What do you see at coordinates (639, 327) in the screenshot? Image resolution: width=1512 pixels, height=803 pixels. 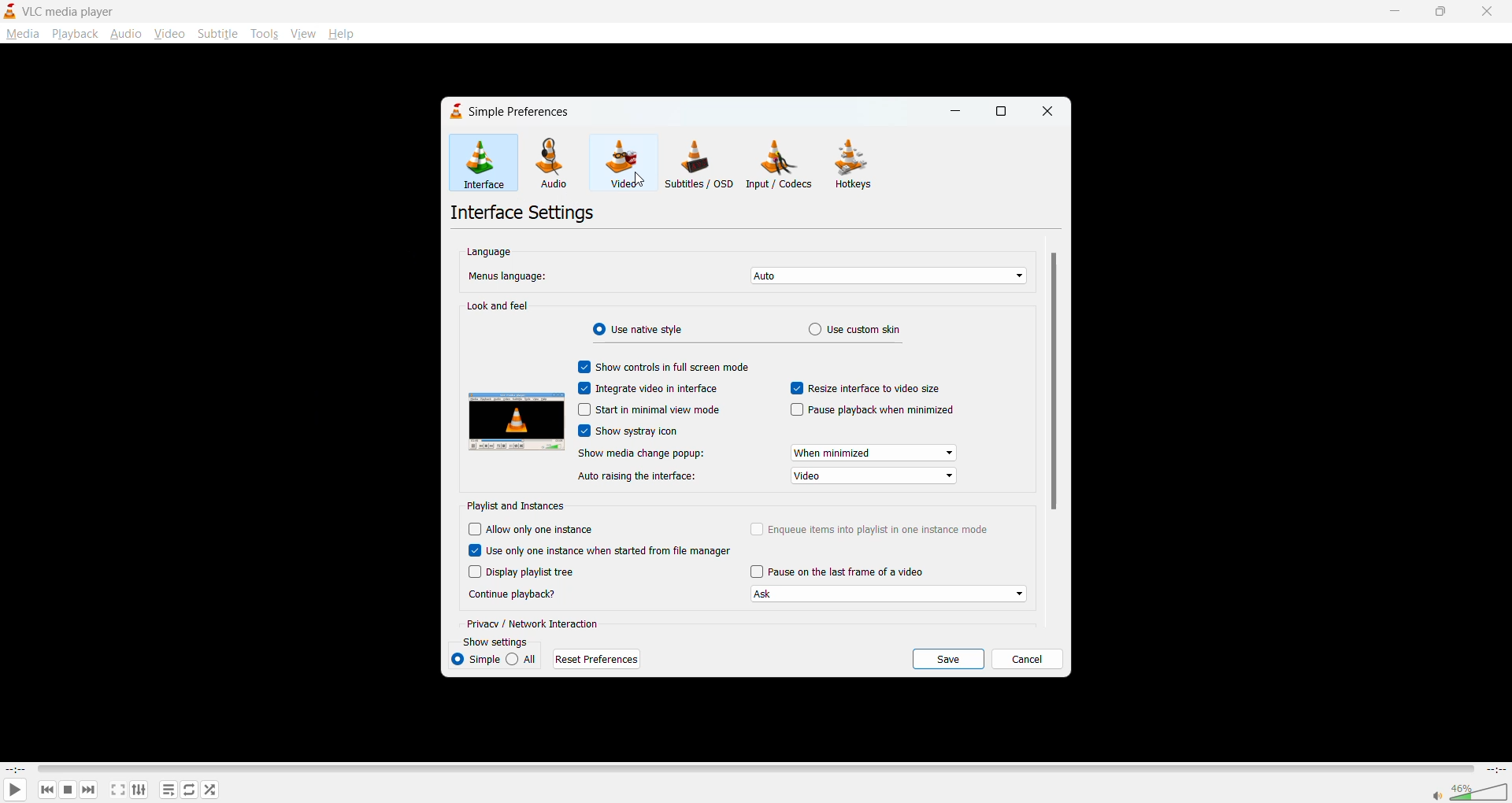 I see `use native style` at bounding box center [639, 327].